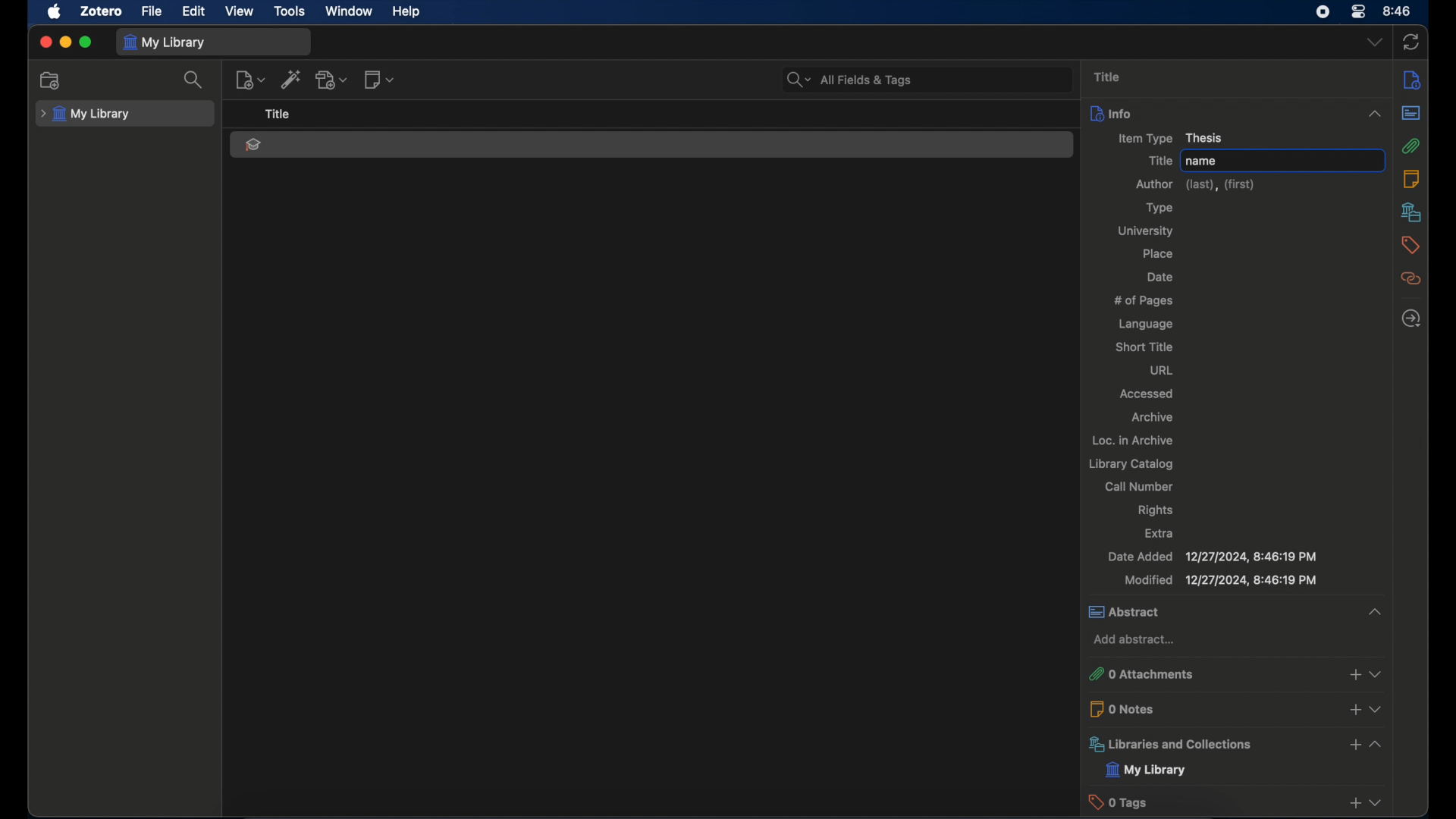 This screenshot has height=819, width=1456. I want to click on dropdown, so click(1376, 670).